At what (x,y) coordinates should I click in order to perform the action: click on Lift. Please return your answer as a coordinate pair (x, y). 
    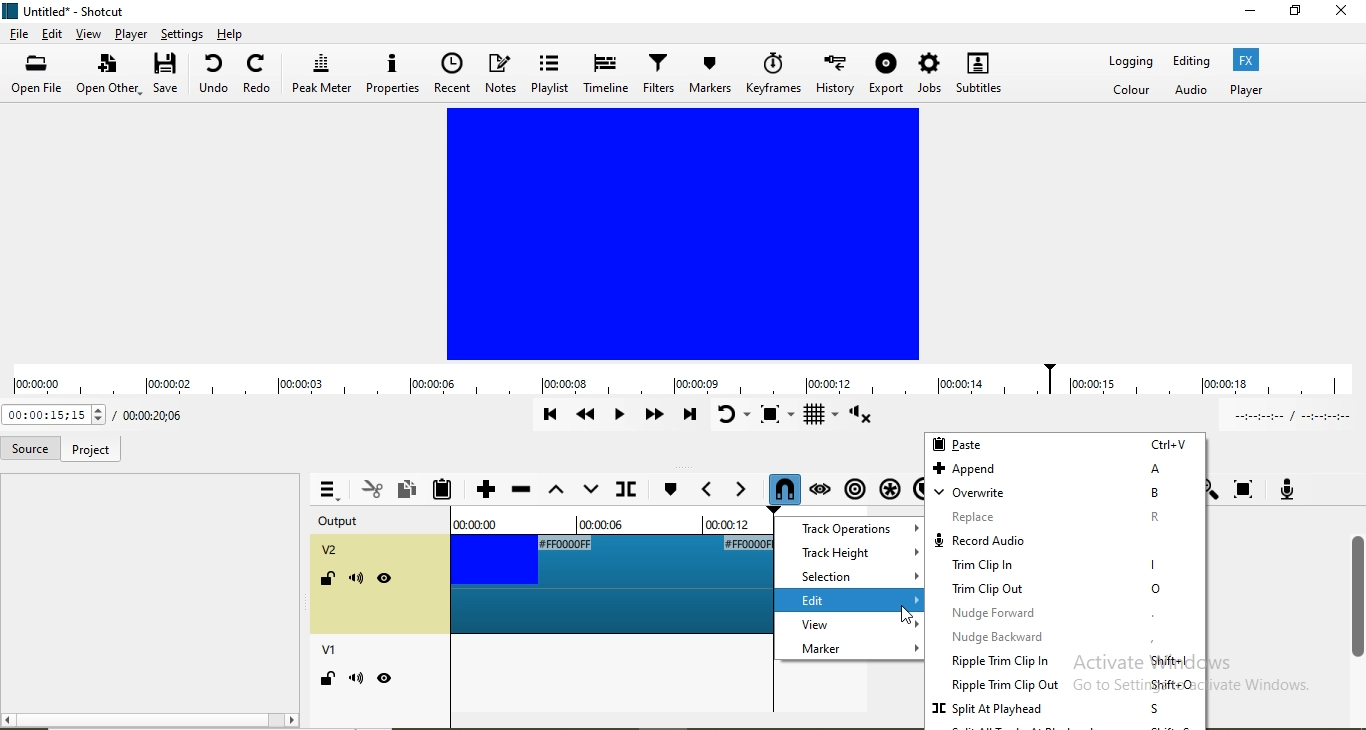
    Looking at the image, I should click on (556, 494).